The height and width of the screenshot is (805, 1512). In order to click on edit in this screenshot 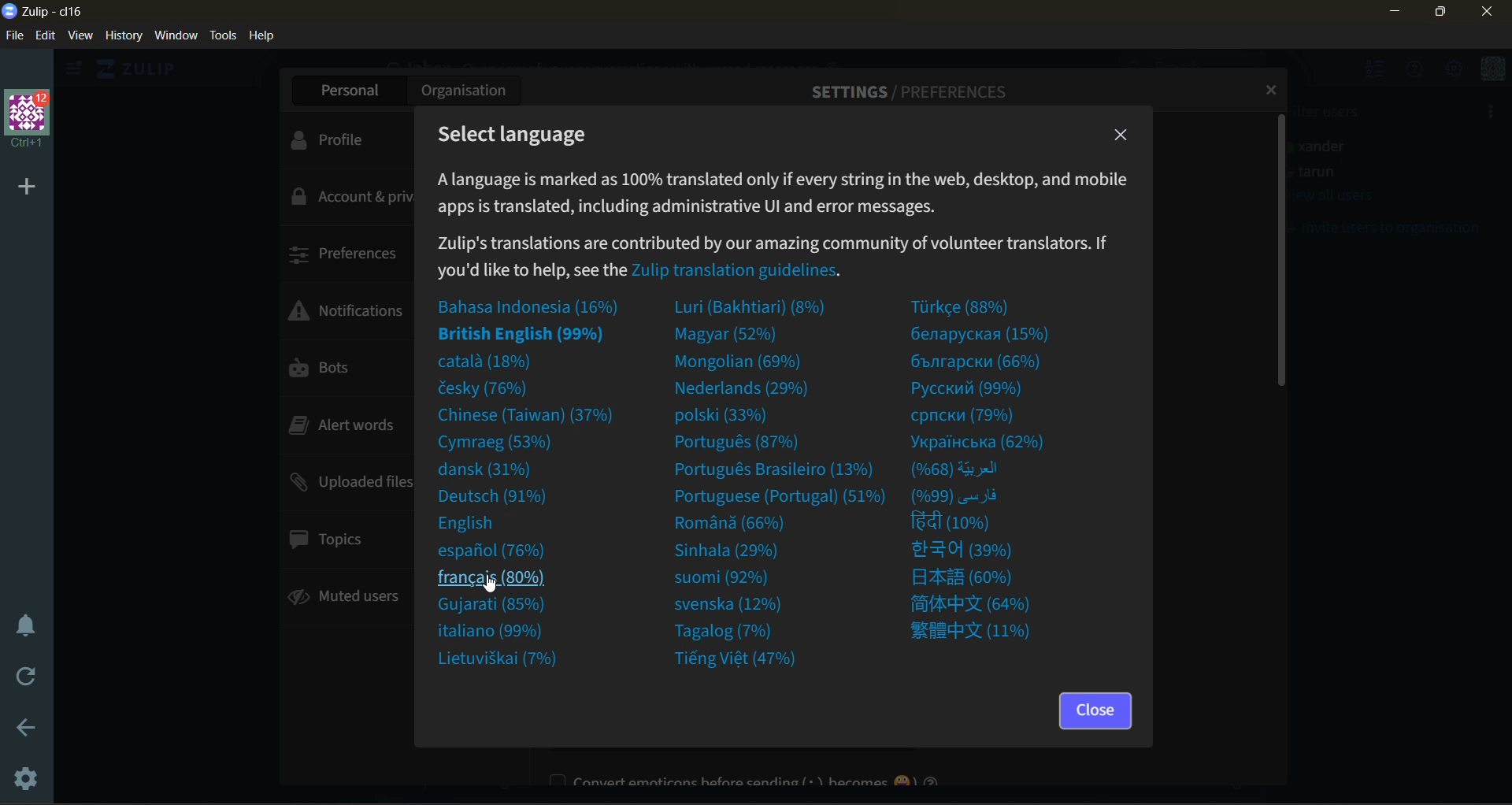, I will do `click(45, 36)`.